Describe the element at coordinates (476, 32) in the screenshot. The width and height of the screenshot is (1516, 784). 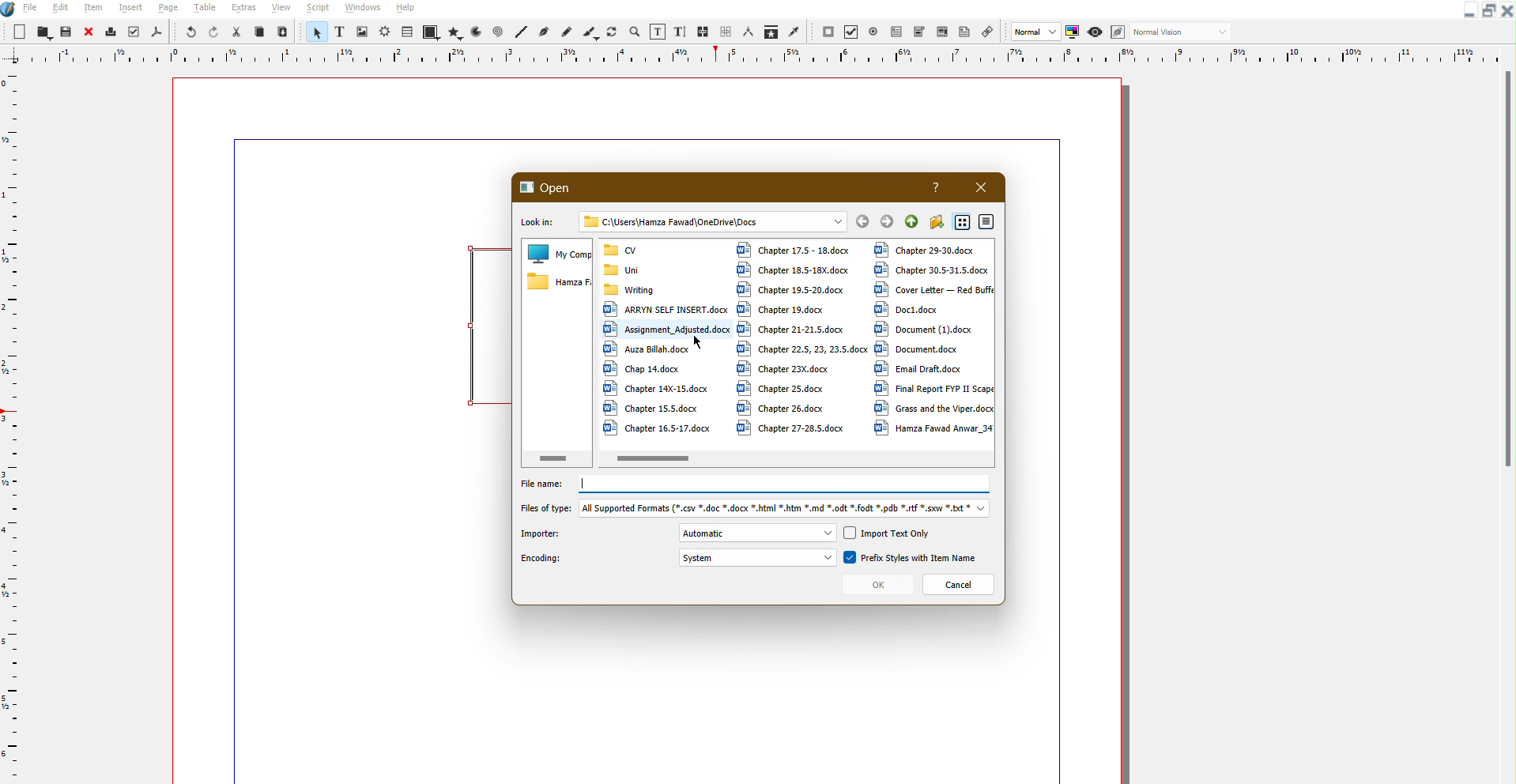
I see `Arc` at that location.